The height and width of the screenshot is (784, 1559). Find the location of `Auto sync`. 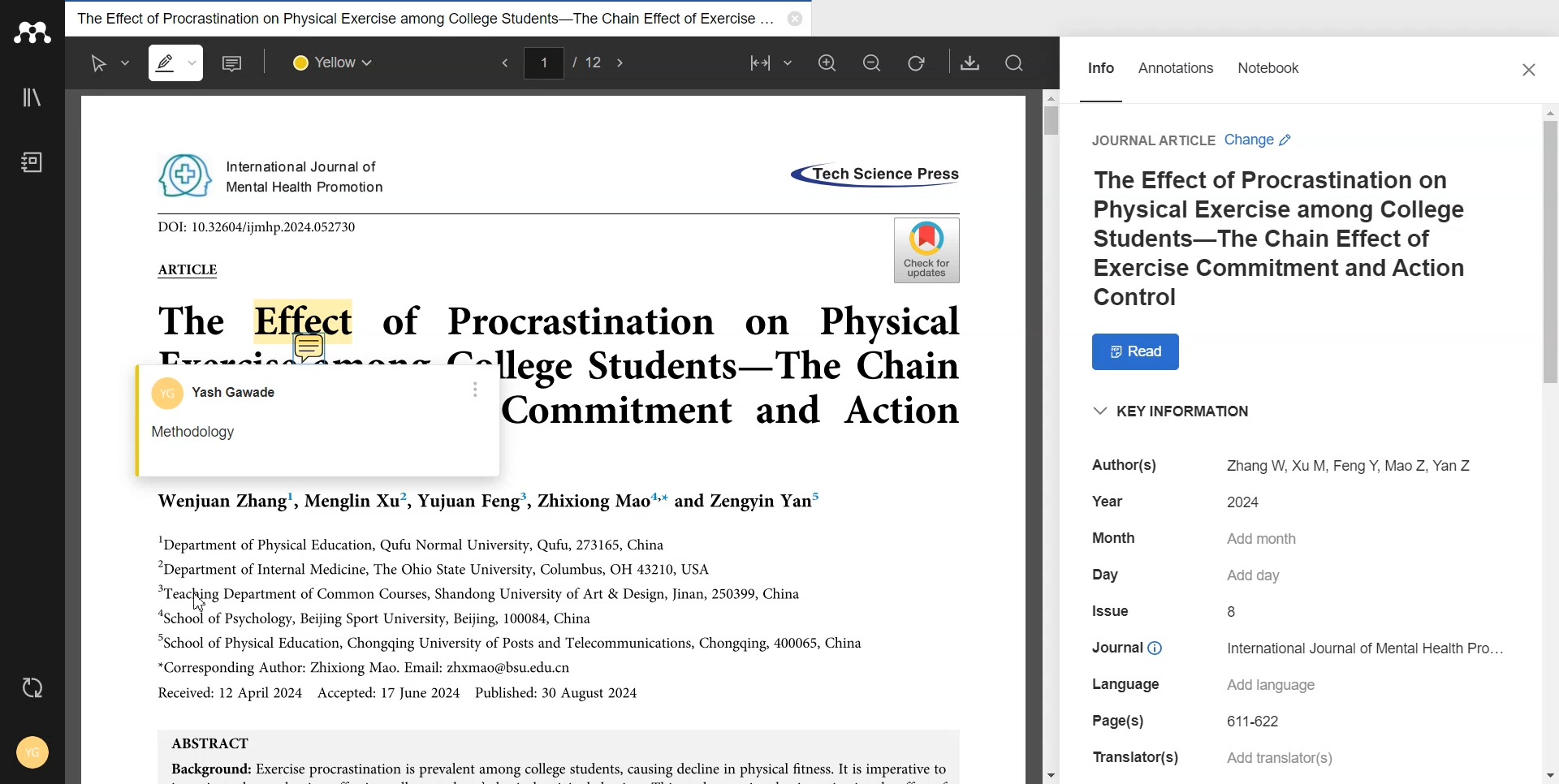

Auto sync is located at coordinates (34, 690).